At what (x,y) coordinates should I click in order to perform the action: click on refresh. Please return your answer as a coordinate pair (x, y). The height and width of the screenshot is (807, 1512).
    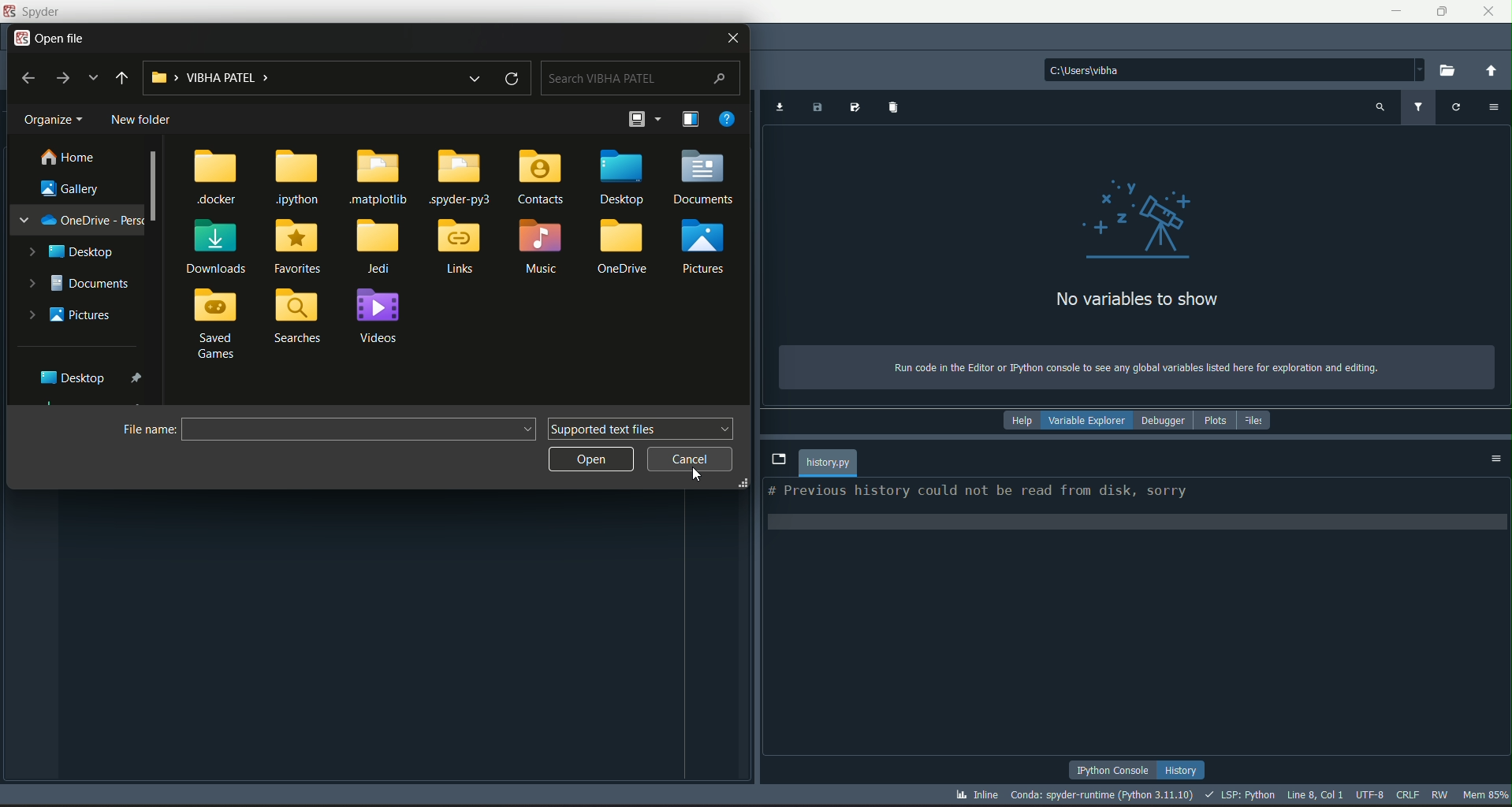
    Looking at the image, I should click on (511, 78).